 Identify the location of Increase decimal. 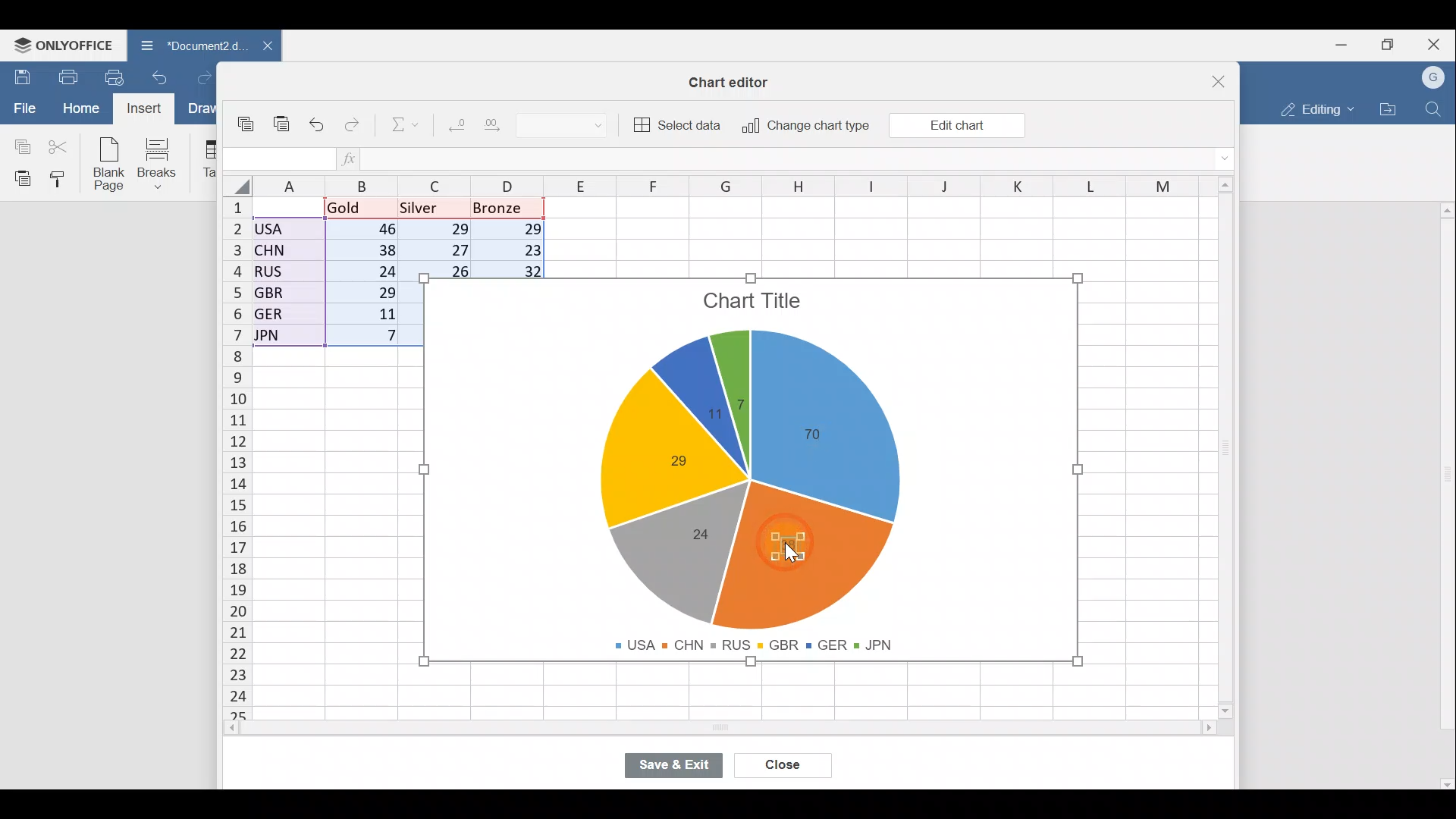
(496, 123).